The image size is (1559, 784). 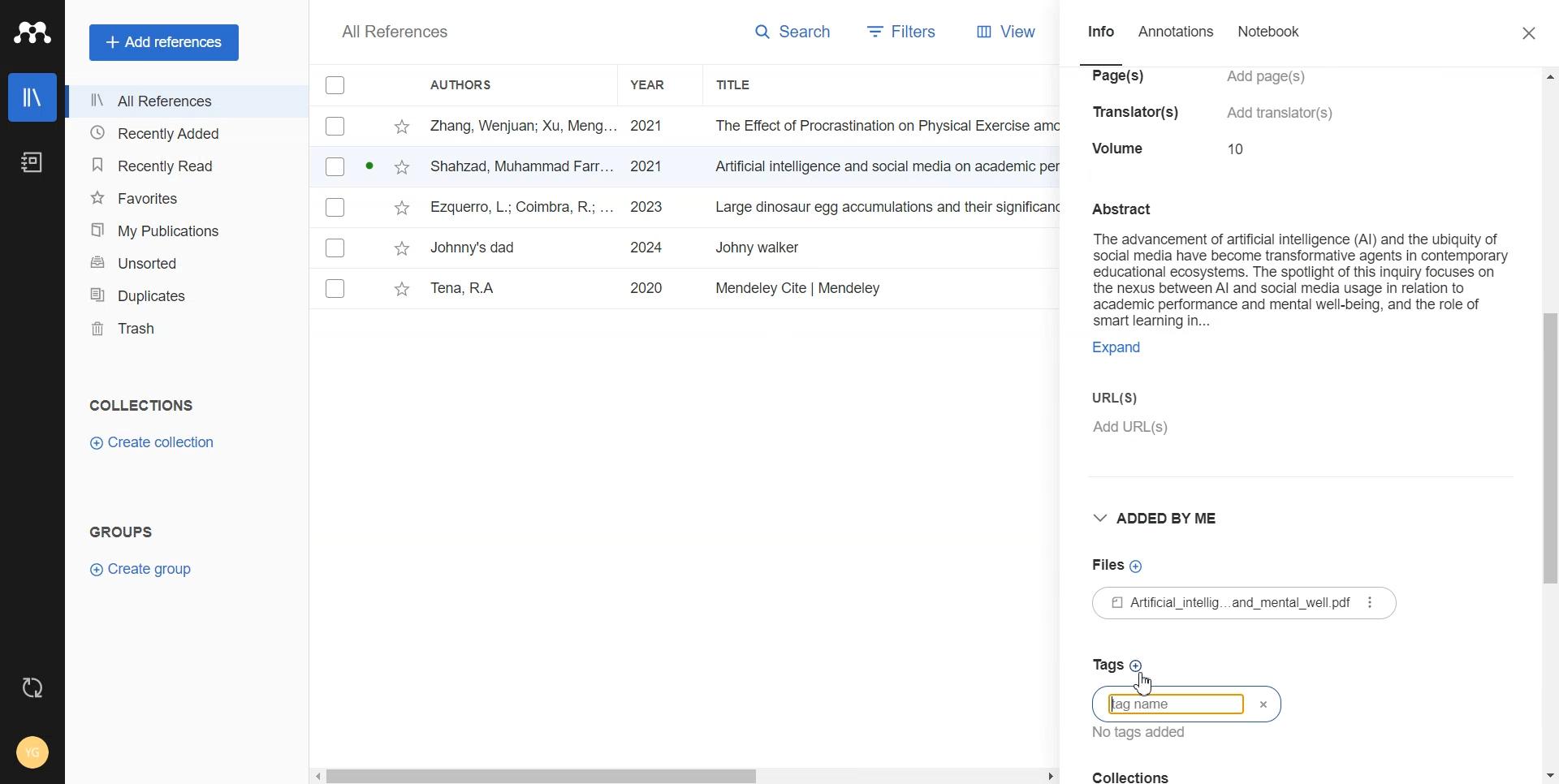 I want to click on Vertical scroll bar, so click(x=1549, y=424).